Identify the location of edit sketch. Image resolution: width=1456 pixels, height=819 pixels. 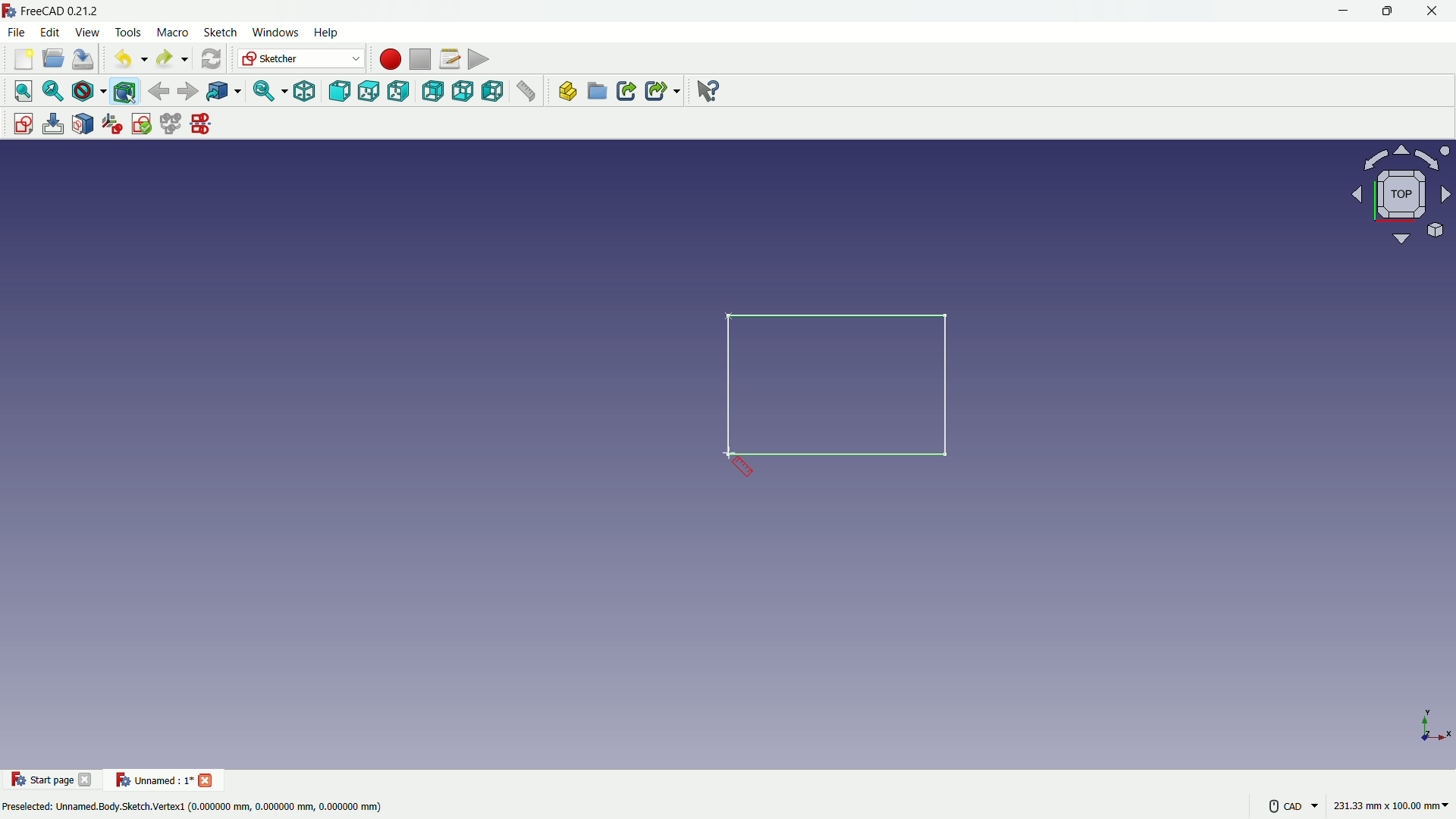
(52, 124).